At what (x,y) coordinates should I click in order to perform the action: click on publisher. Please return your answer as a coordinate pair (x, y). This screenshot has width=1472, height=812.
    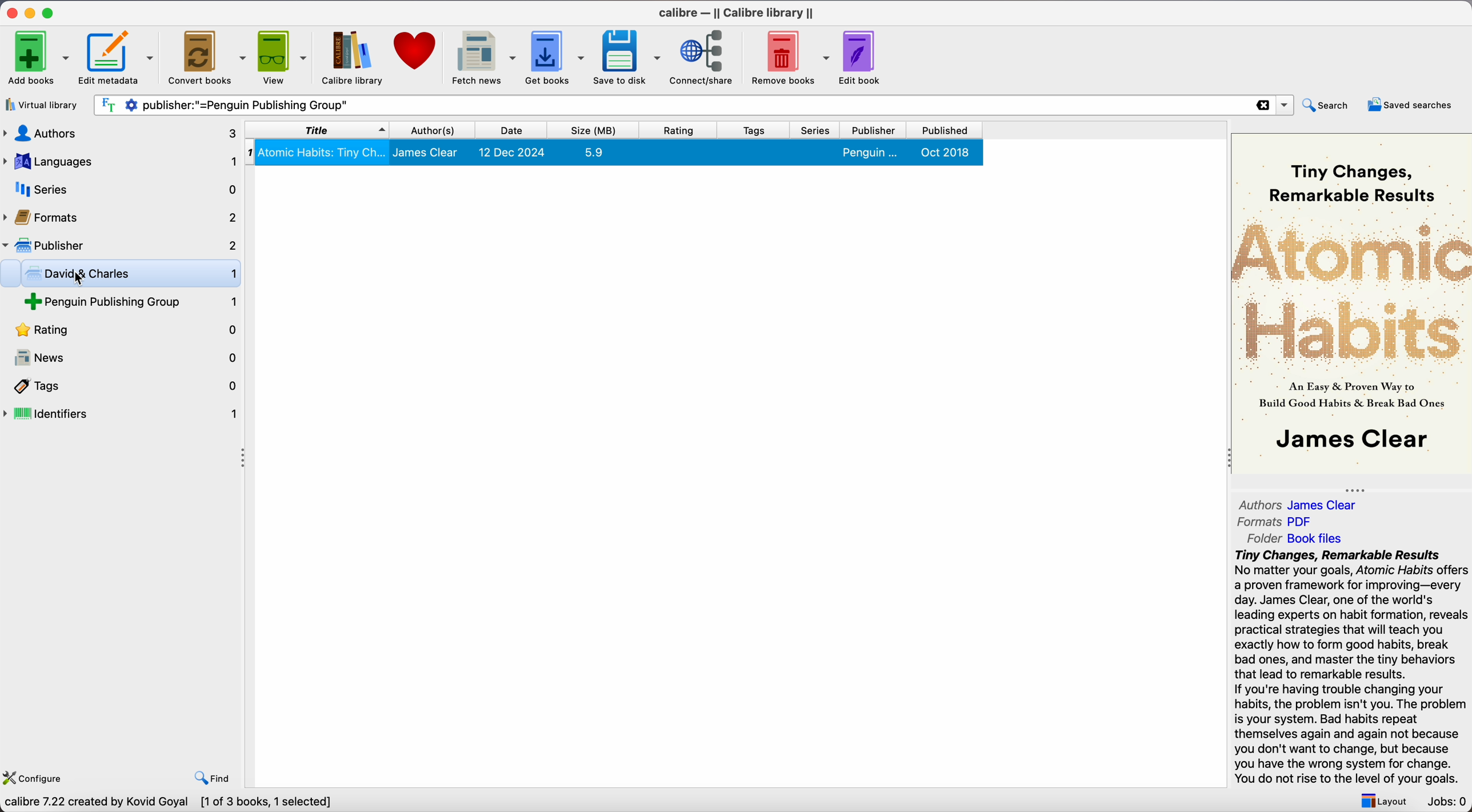
    Looking at the image, I should click on (877, 130).